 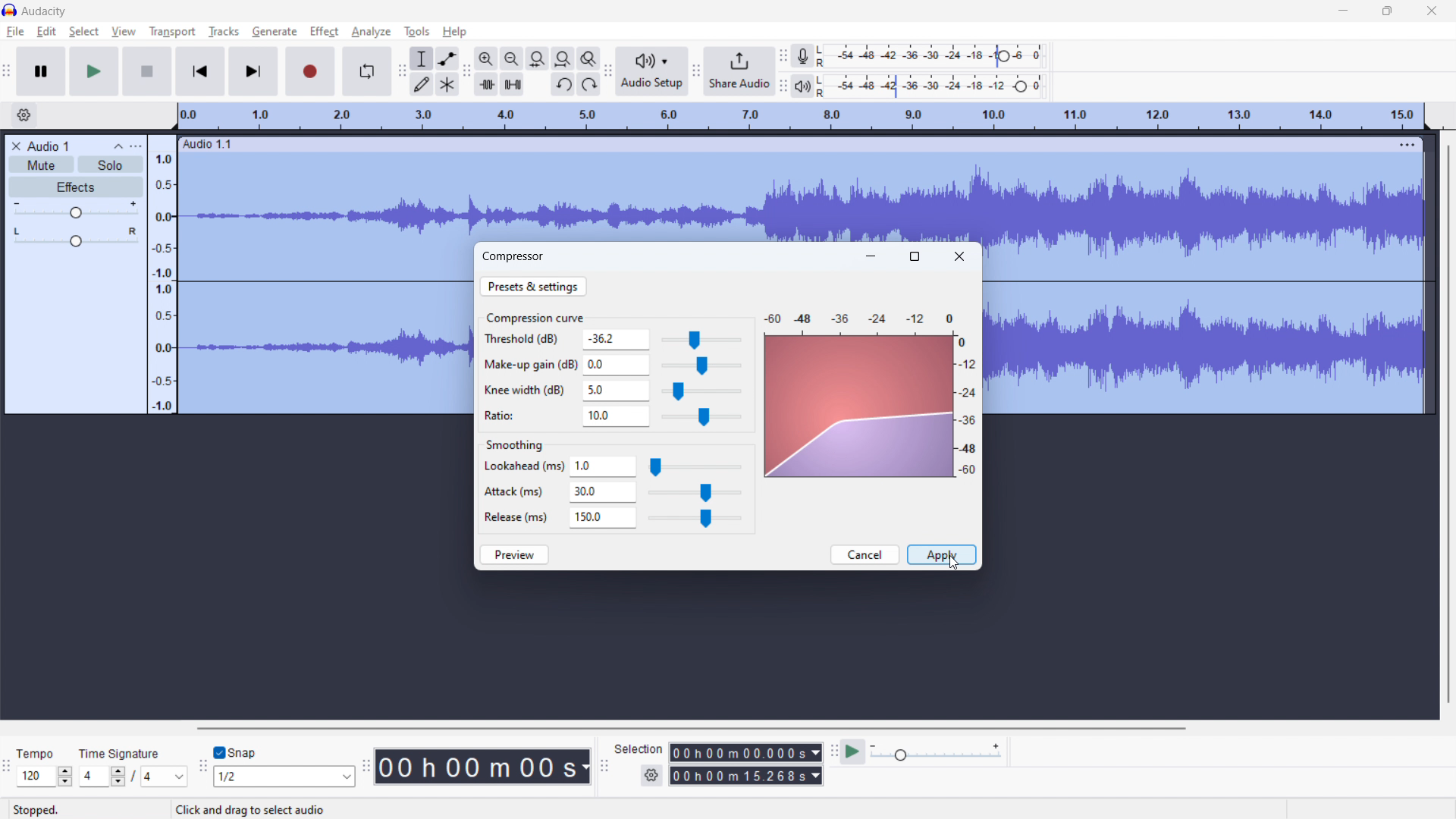 I want to click on toggle snap, so click(x=235, y=753).